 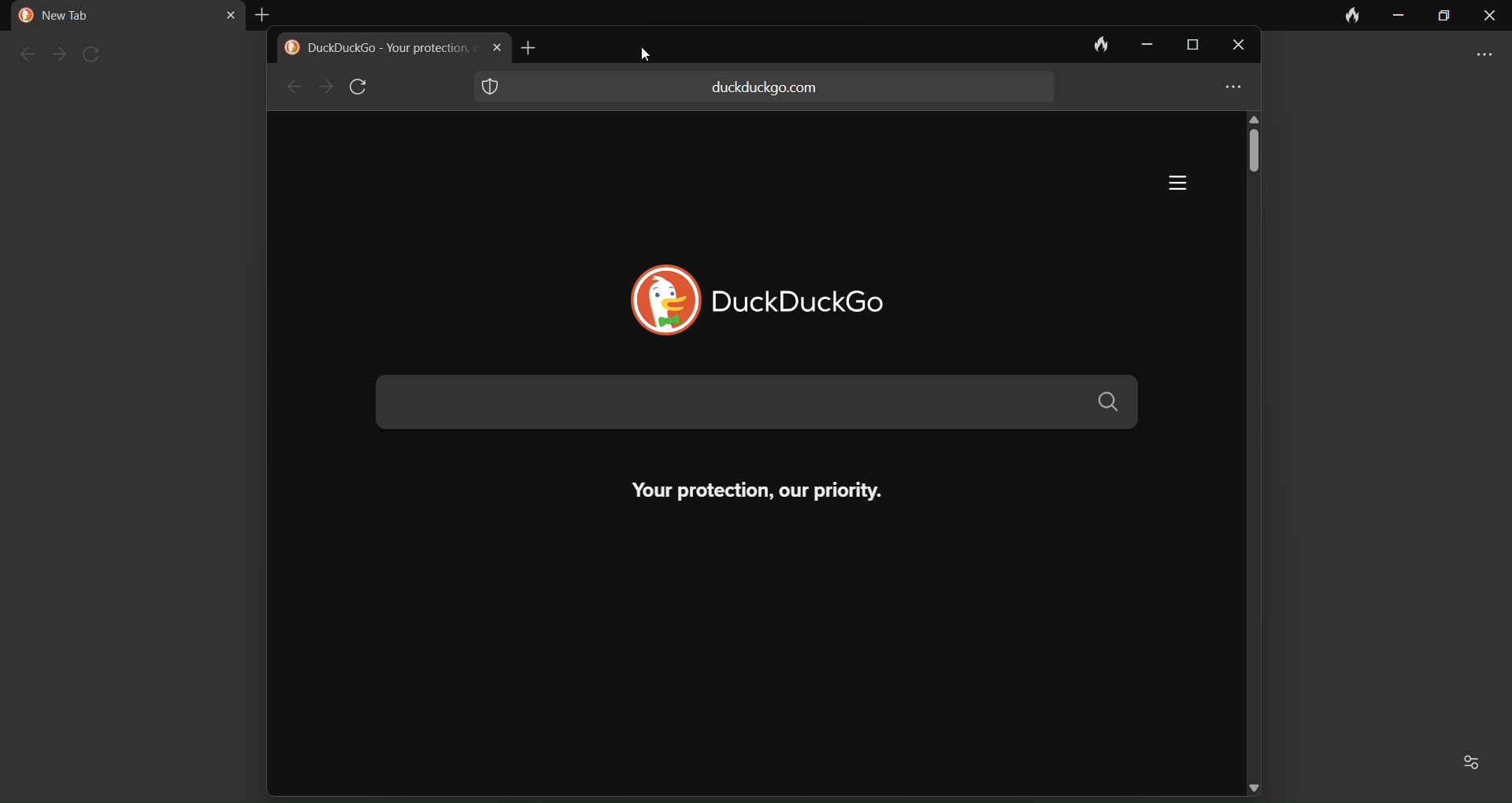 I want to click on New Tab, so click(x=76, y=17).